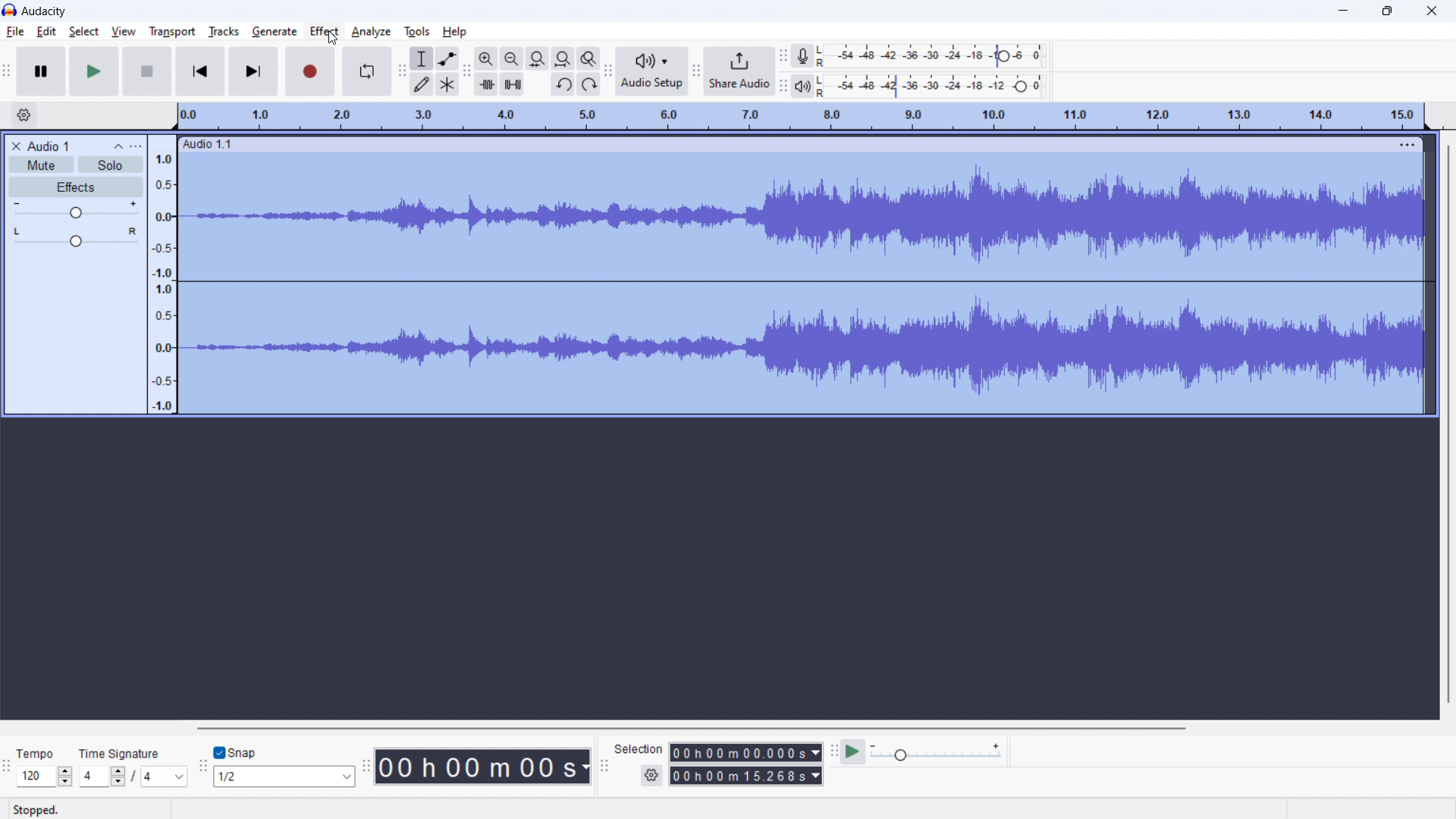 Image resolution: width=1456 pixels, height=819 pixels. What do you see at coordinates (746, 776) in the screenshot?
I see `00h00m15.268s (end time)` at bounding box center [746, 776].